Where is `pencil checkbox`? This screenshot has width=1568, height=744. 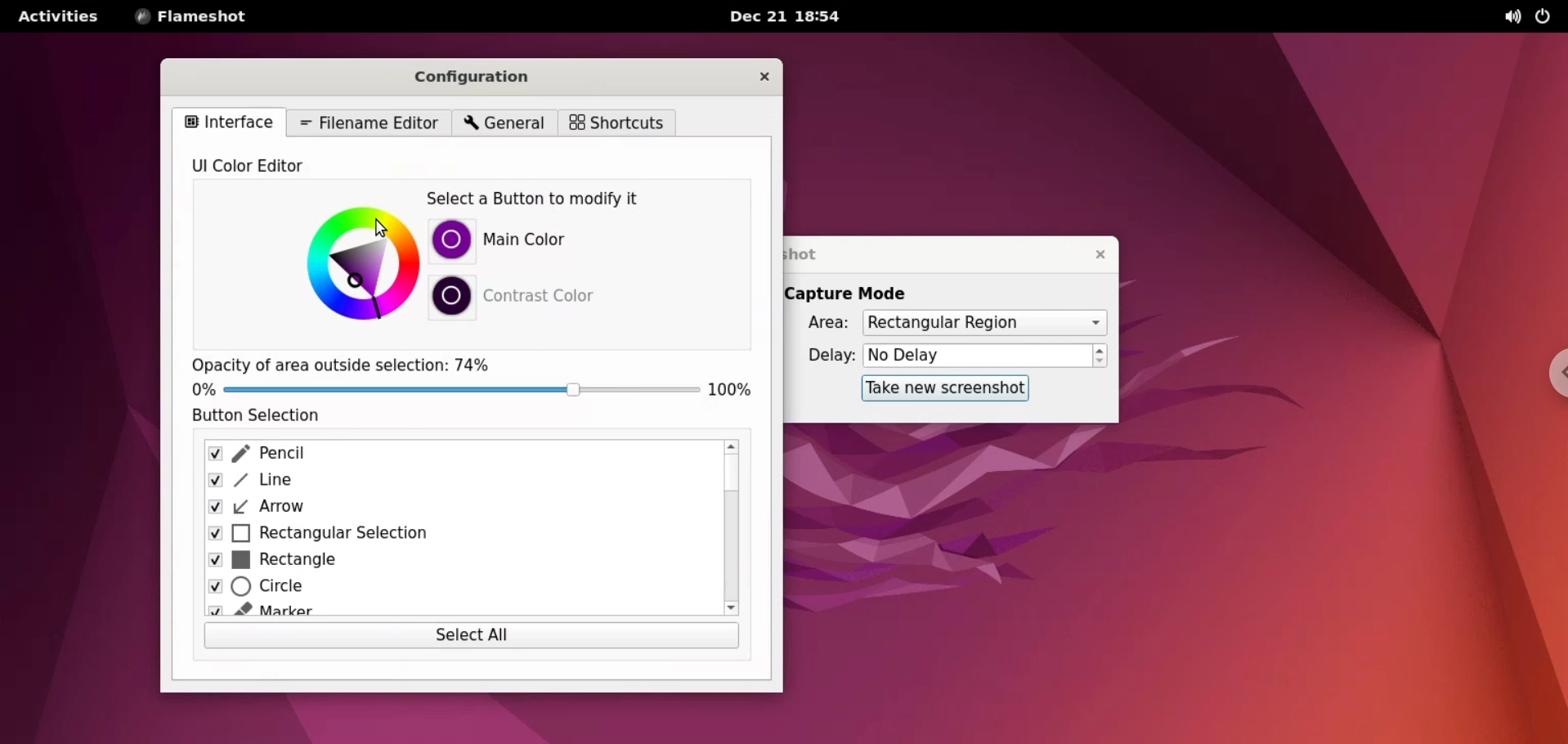 pencil checkbox is located at coordinates (452, 453).